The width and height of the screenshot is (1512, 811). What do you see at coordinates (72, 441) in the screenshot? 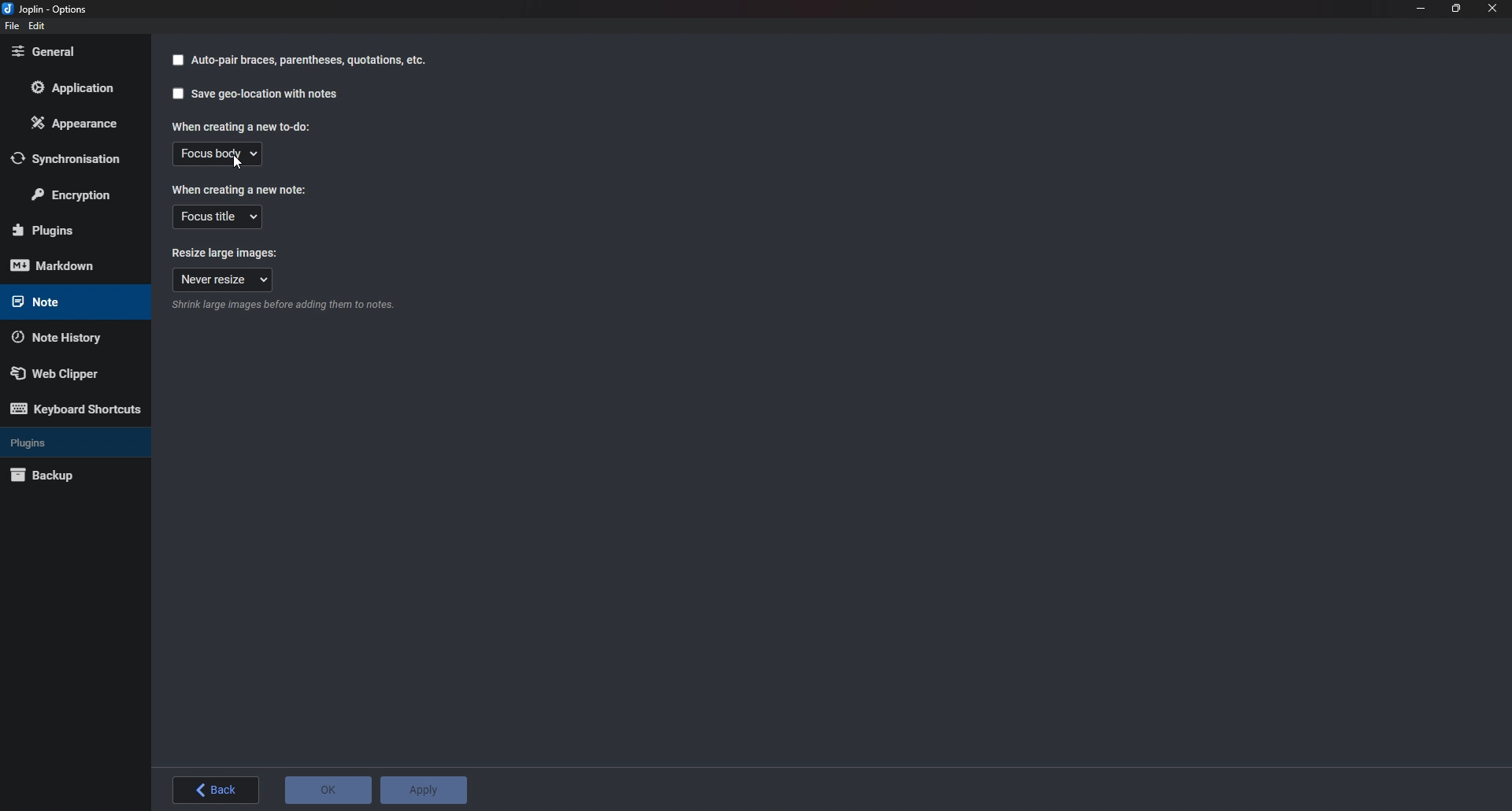
I see `Plugins` at bounding box center [72, 441].